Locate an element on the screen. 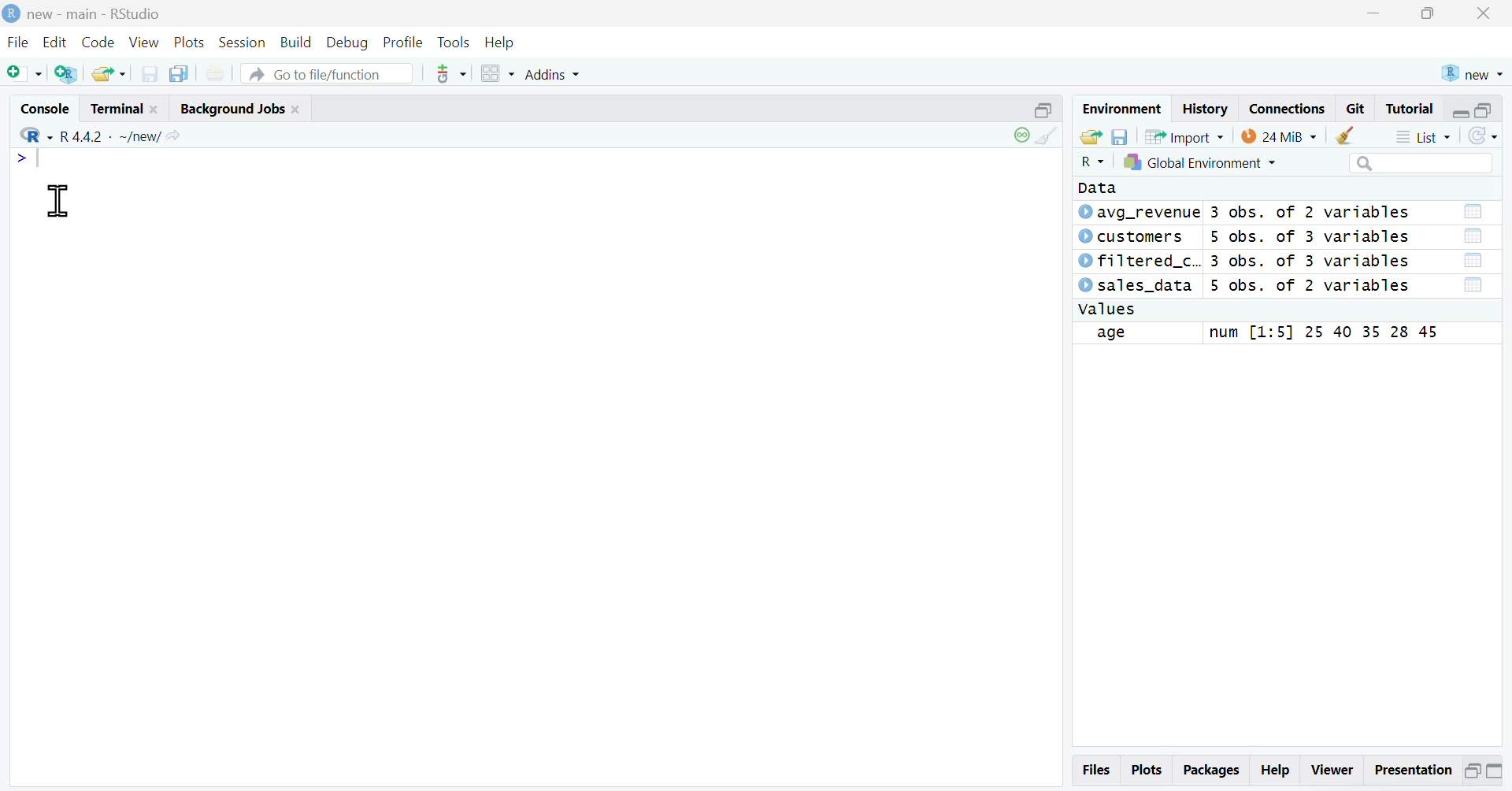 The width and height of the screenshot is (1512, 791). Select language - R Language is located at coordinates (33, 136).